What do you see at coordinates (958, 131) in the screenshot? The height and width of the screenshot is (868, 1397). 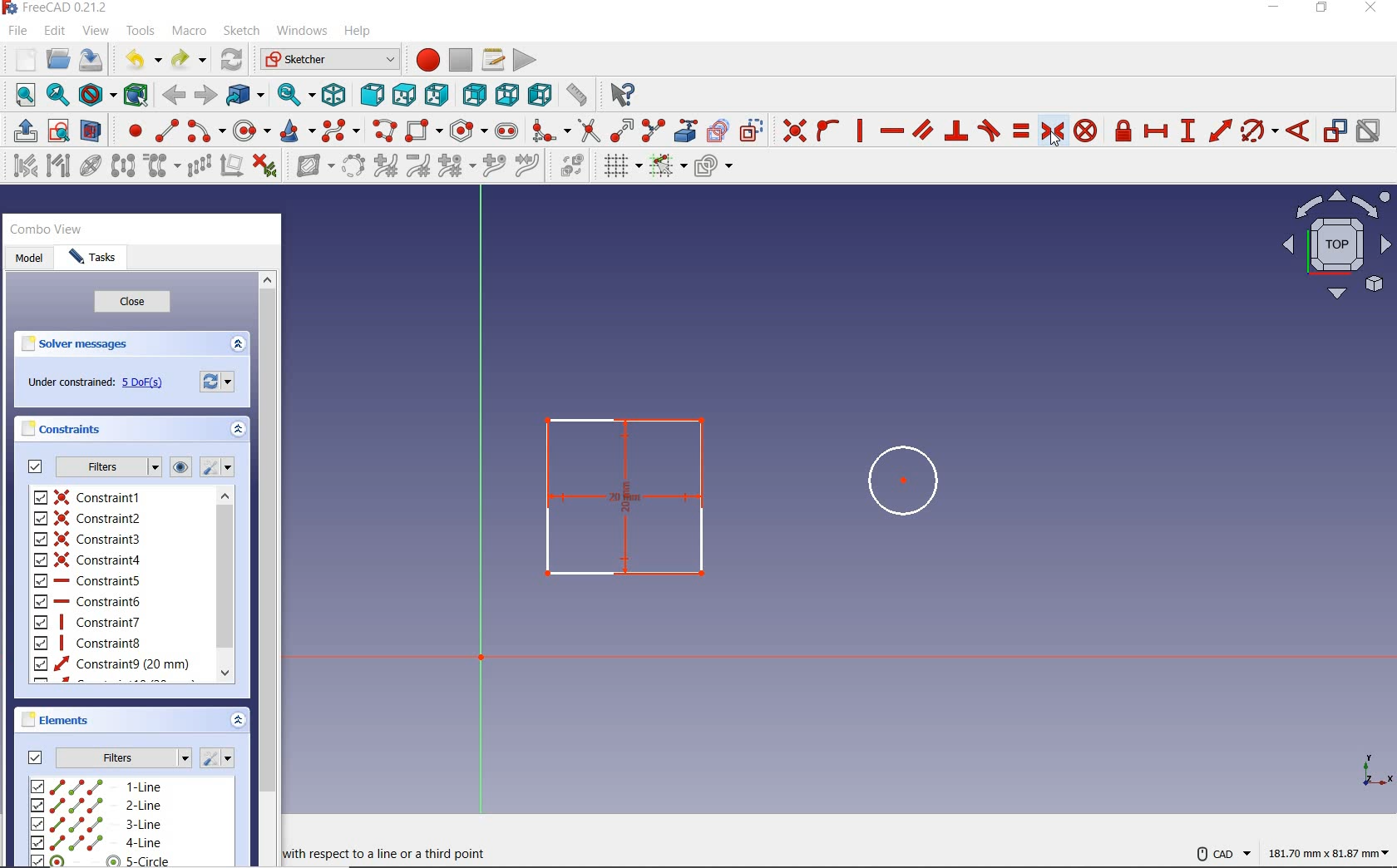 I see `constrain perpendicular` at bounding box center [958, 131].